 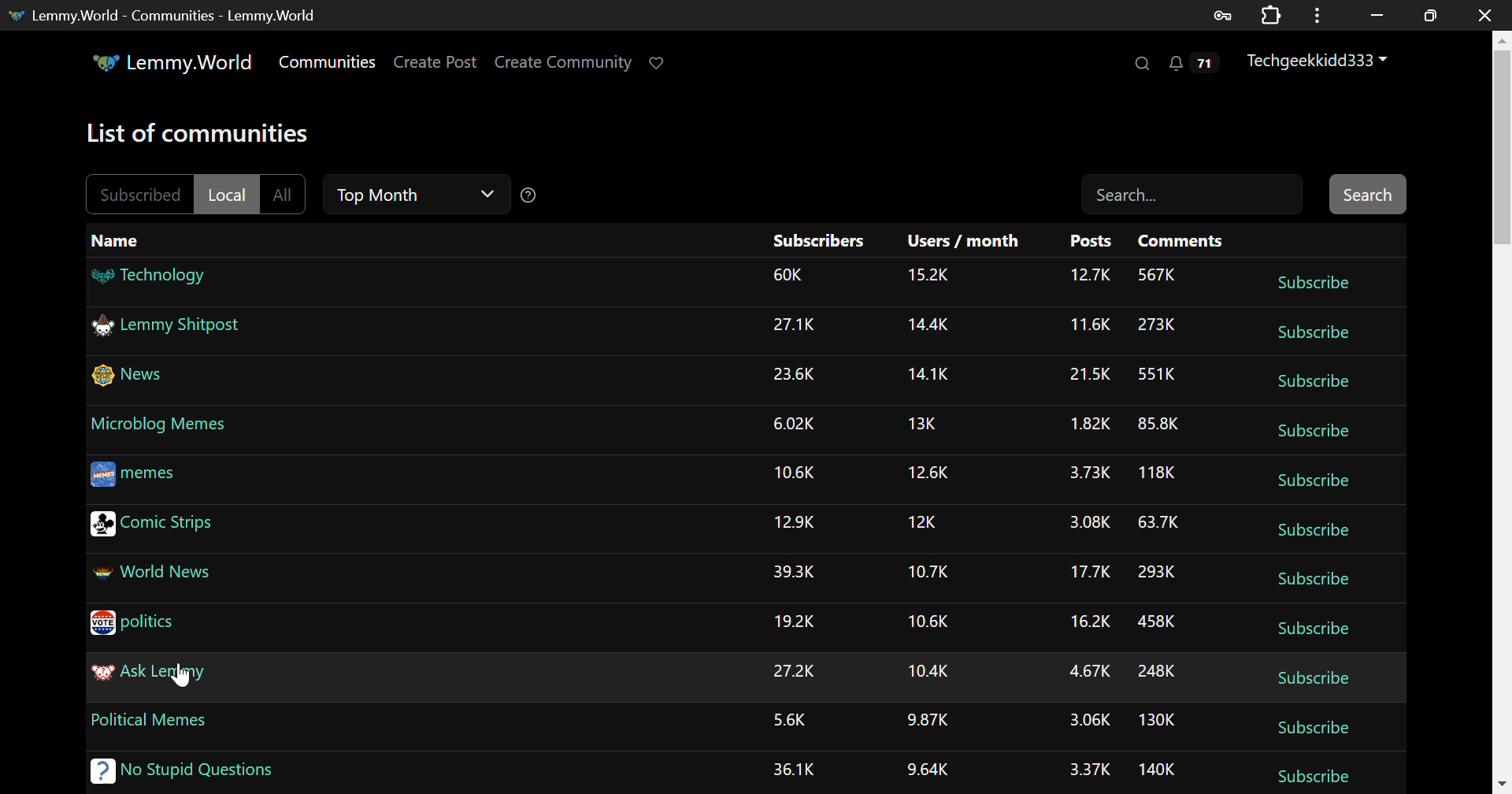 What do you see at coordinates (928, 720) in the screenshot?
I see `Amount` at bounding box center [928, 720].